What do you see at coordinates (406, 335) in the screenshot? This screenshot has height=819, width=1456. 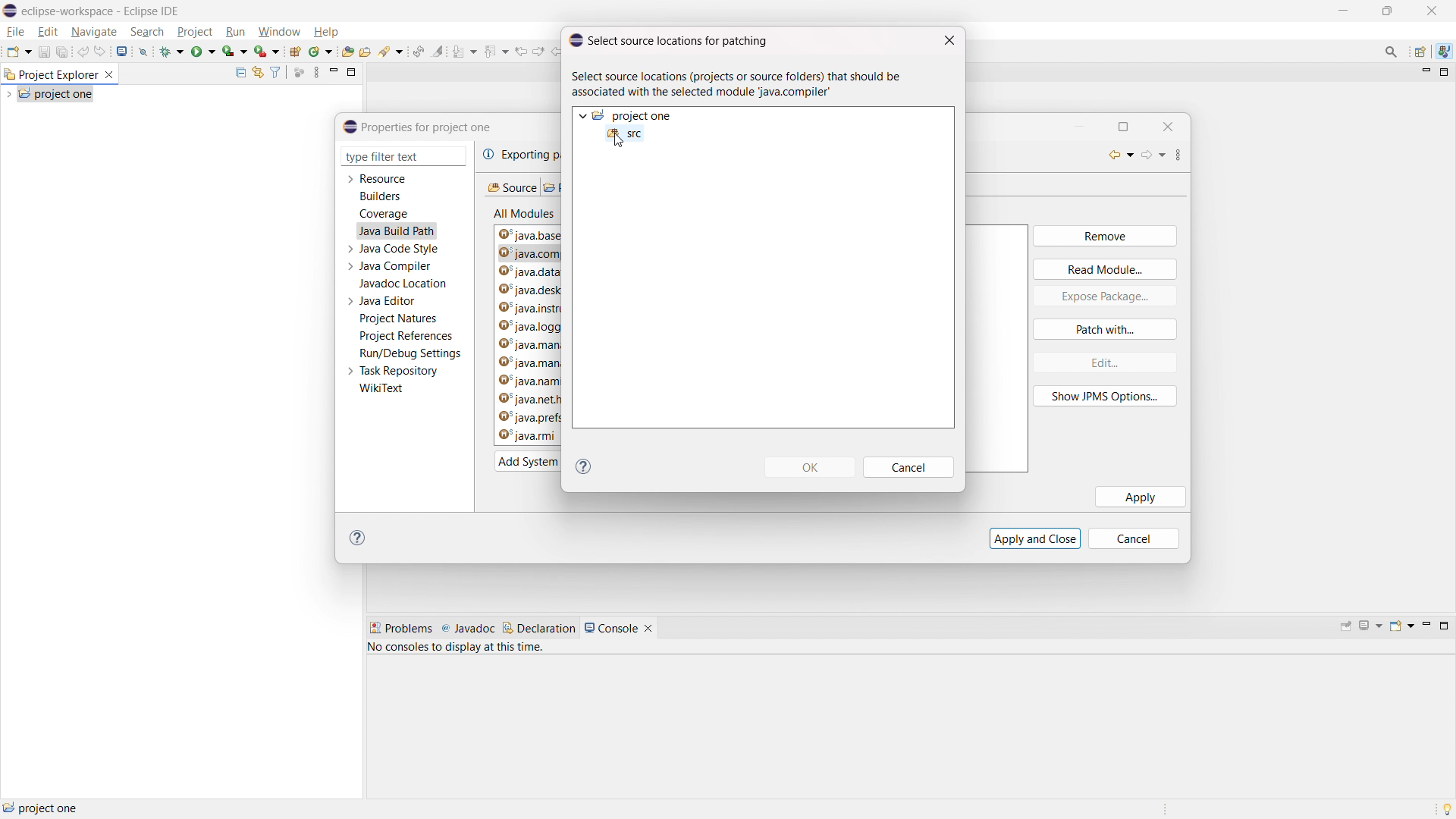 I see `project references` at bounding box center [406, 335].